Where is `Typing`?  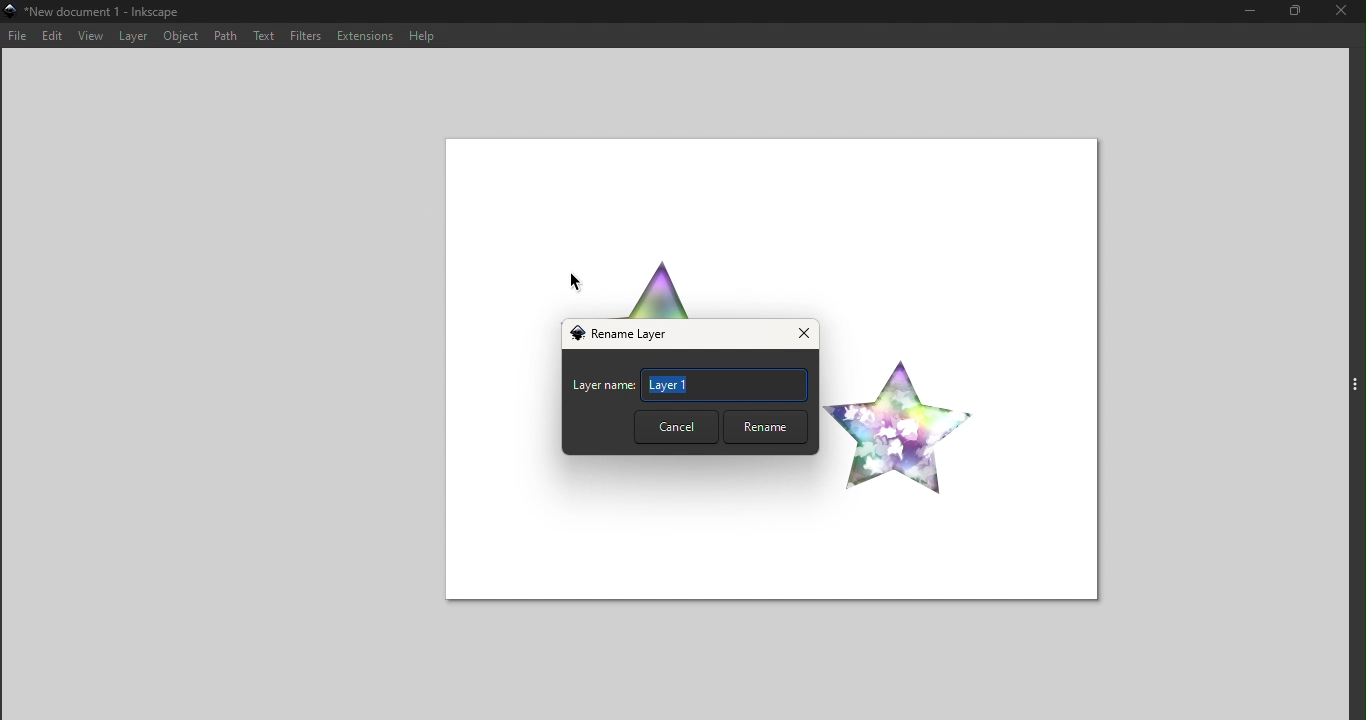
Typing is located at coordinates (725, 385).